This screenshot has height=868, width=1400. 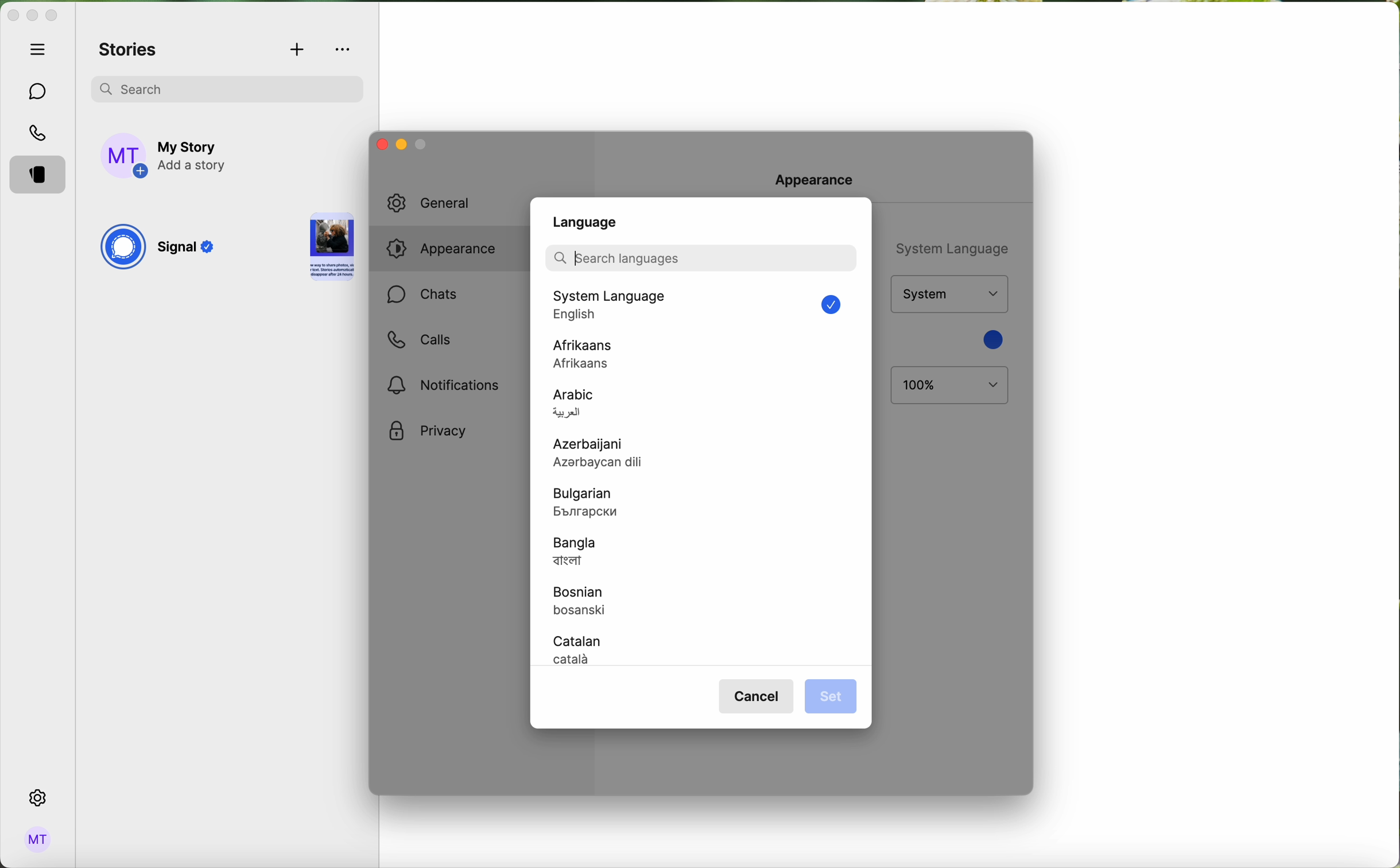 What do you see at coordinates (52, 15) in the screenshot?
I see `maximize` at bounding box center [52, 15].